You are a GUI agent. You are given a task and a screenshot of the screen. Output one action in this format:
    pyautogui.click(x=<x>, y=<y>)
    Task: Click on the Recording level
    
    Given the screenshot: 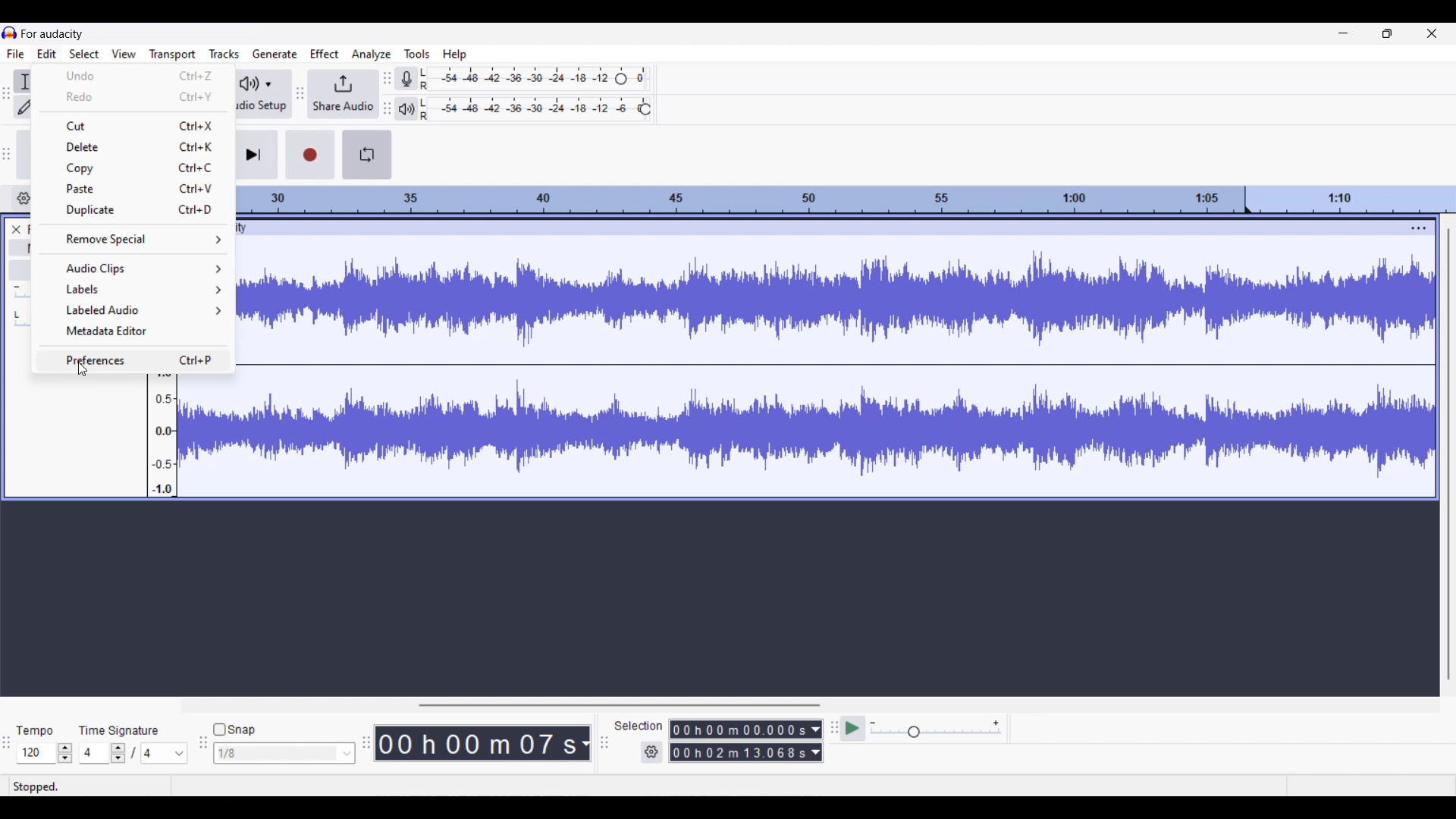 What is the action you would take?
    pyautogui.click(x=516, y=79)
    